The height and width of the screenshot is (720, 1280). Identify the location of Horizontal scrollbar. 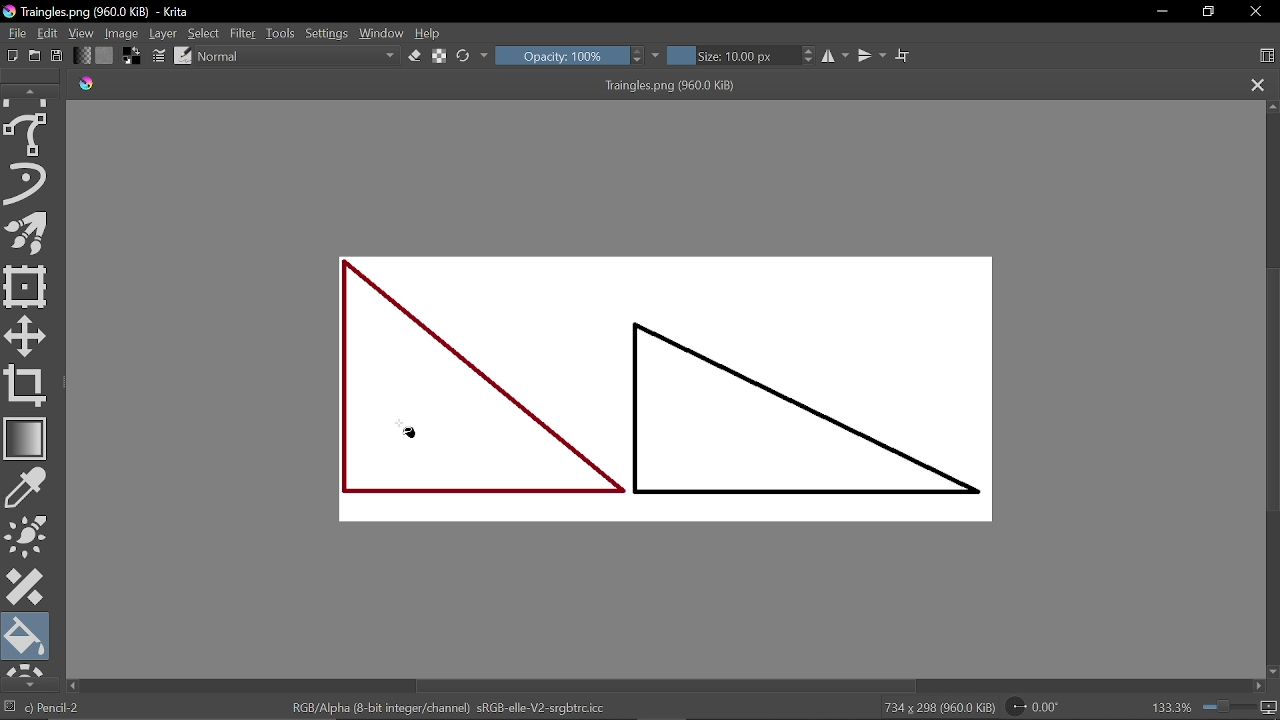
(660, 687).